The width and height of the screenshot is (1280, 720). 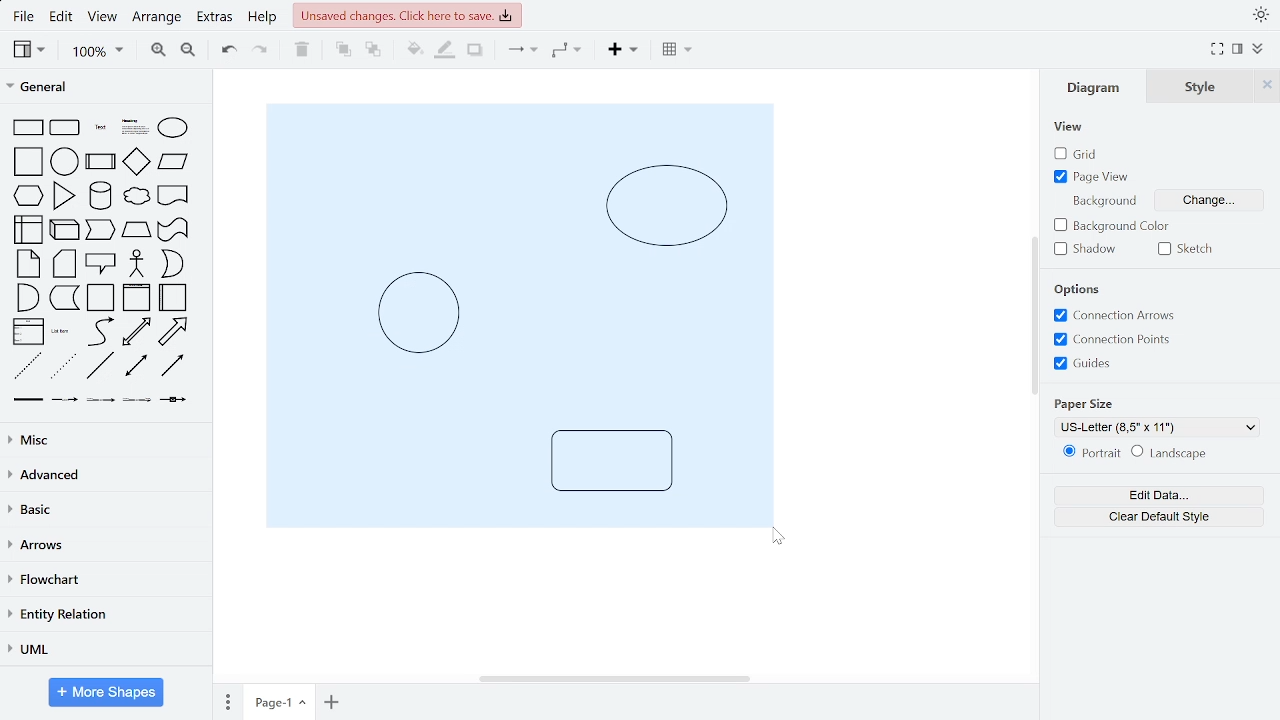 What do you see at coordinates (1098, 87) in the screenshot?
I see `diagram` at bounding box center [1098, 87].